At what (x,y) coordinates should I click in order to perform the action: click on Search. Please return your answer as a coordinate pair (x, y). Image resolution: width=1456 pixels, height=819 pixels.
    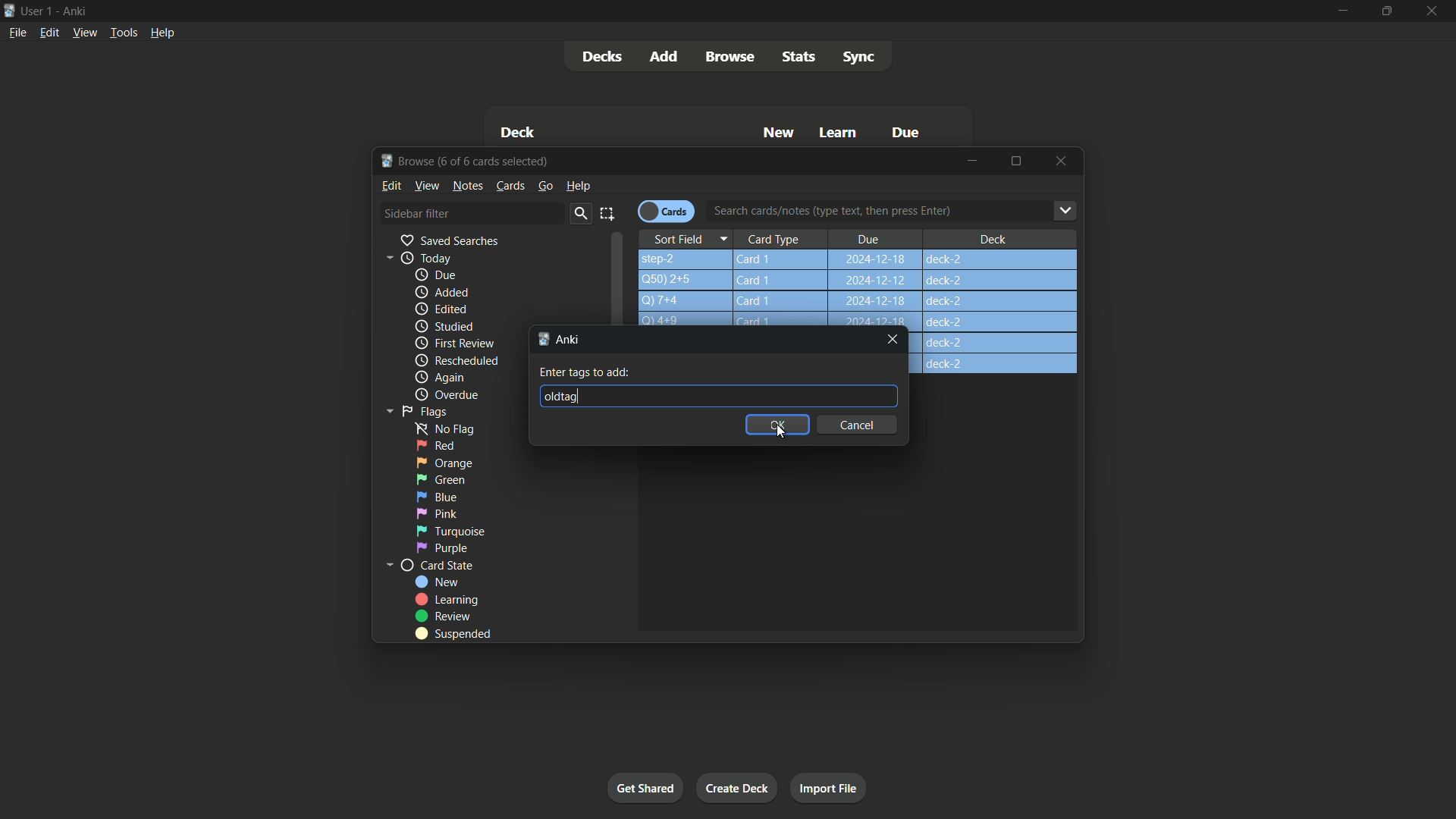
    Looking at the image, I should click on (579, 214).